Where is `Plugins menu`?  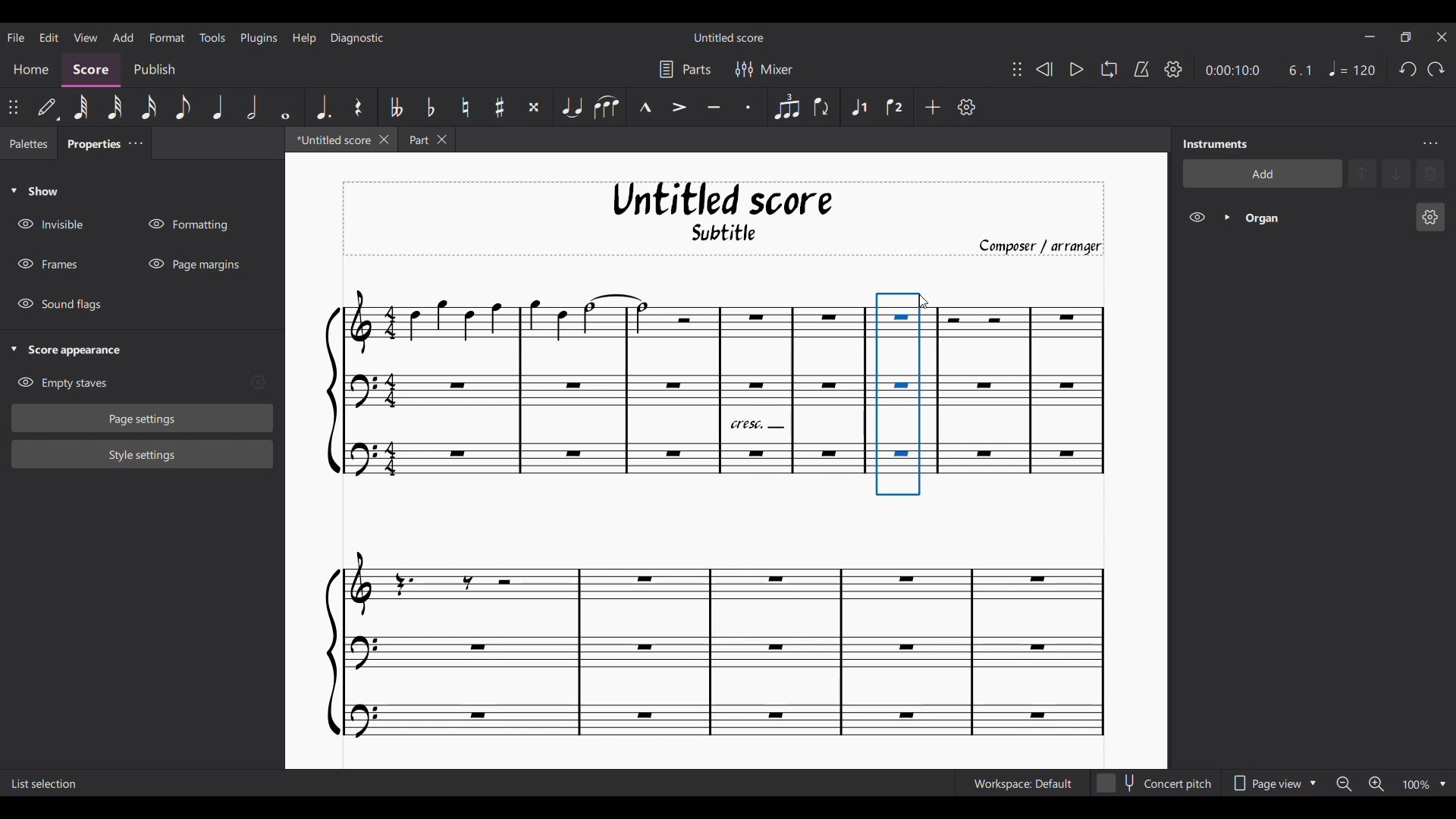 Plugins menu is located at coordinates (259, 38).